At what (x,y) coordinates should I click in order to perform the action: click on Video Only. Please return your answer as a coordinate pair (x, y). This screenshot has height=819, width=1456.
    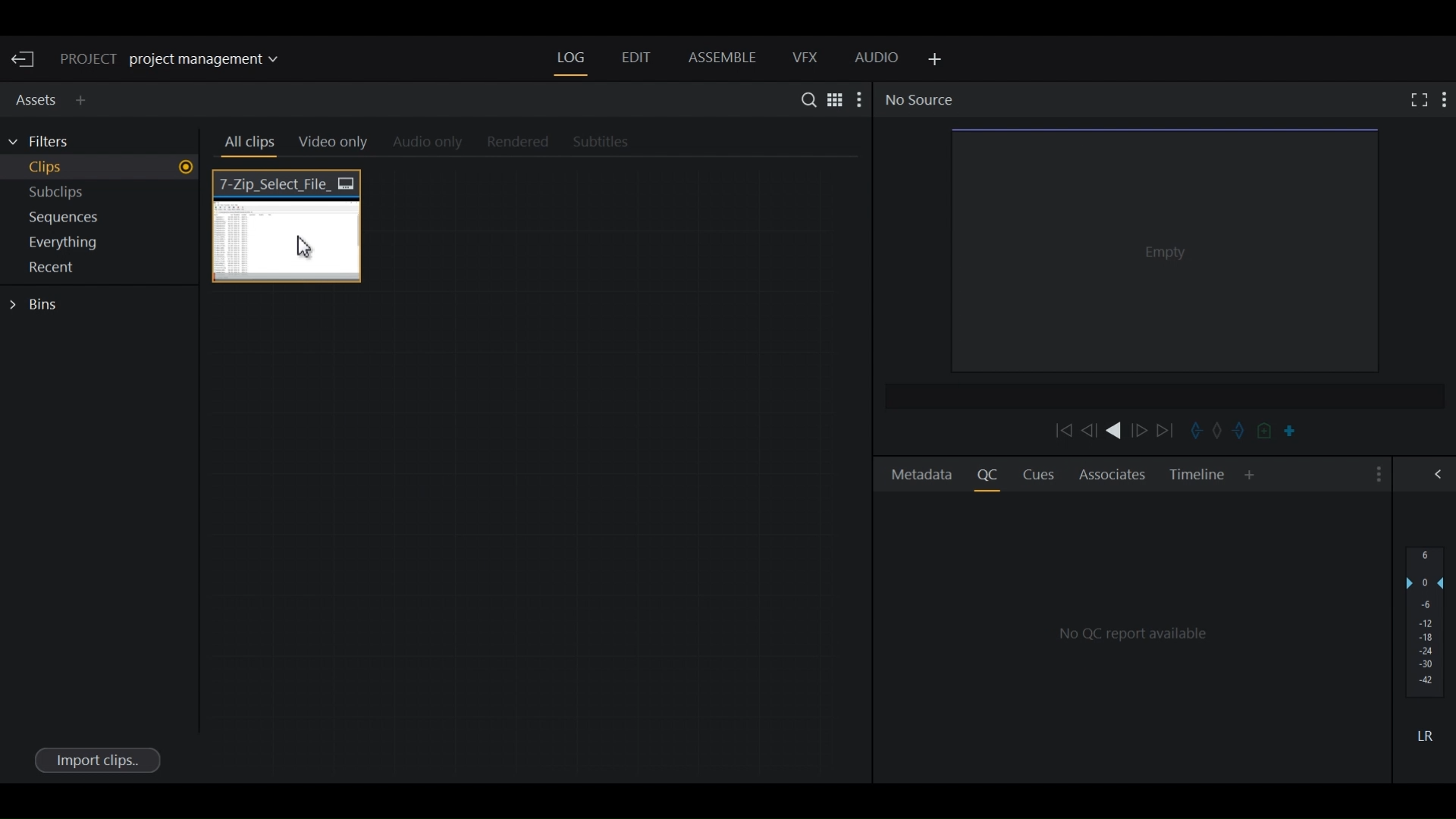
    Looking at the image, I should click on (340, 145).